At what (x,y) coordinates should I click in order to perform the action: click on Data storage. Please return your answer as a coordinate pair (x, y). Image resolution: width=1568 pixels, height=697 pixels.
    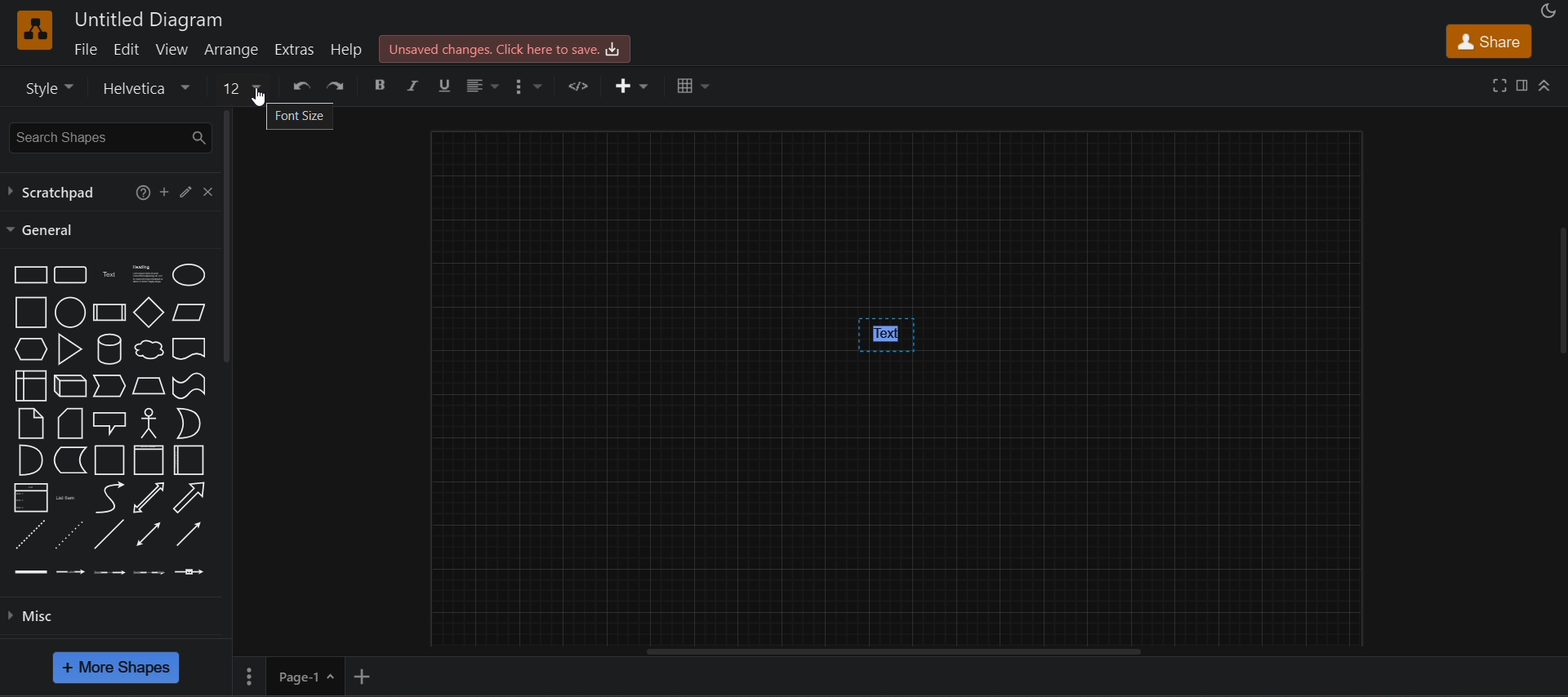
    Looking at the image, I should click on (70, 459).